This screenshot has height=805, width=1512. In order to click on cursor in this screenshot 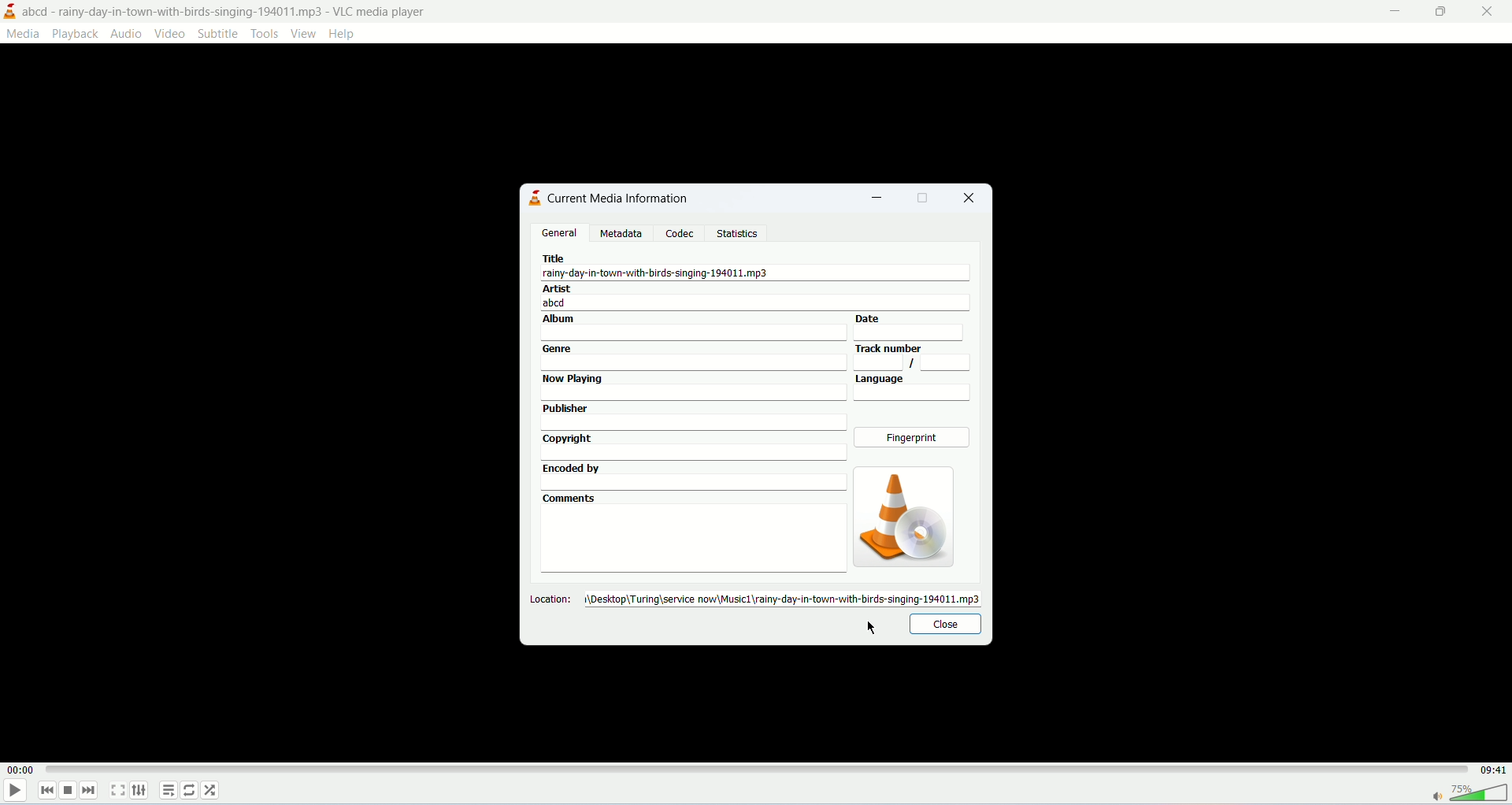, I will do `click(873, 630)`.